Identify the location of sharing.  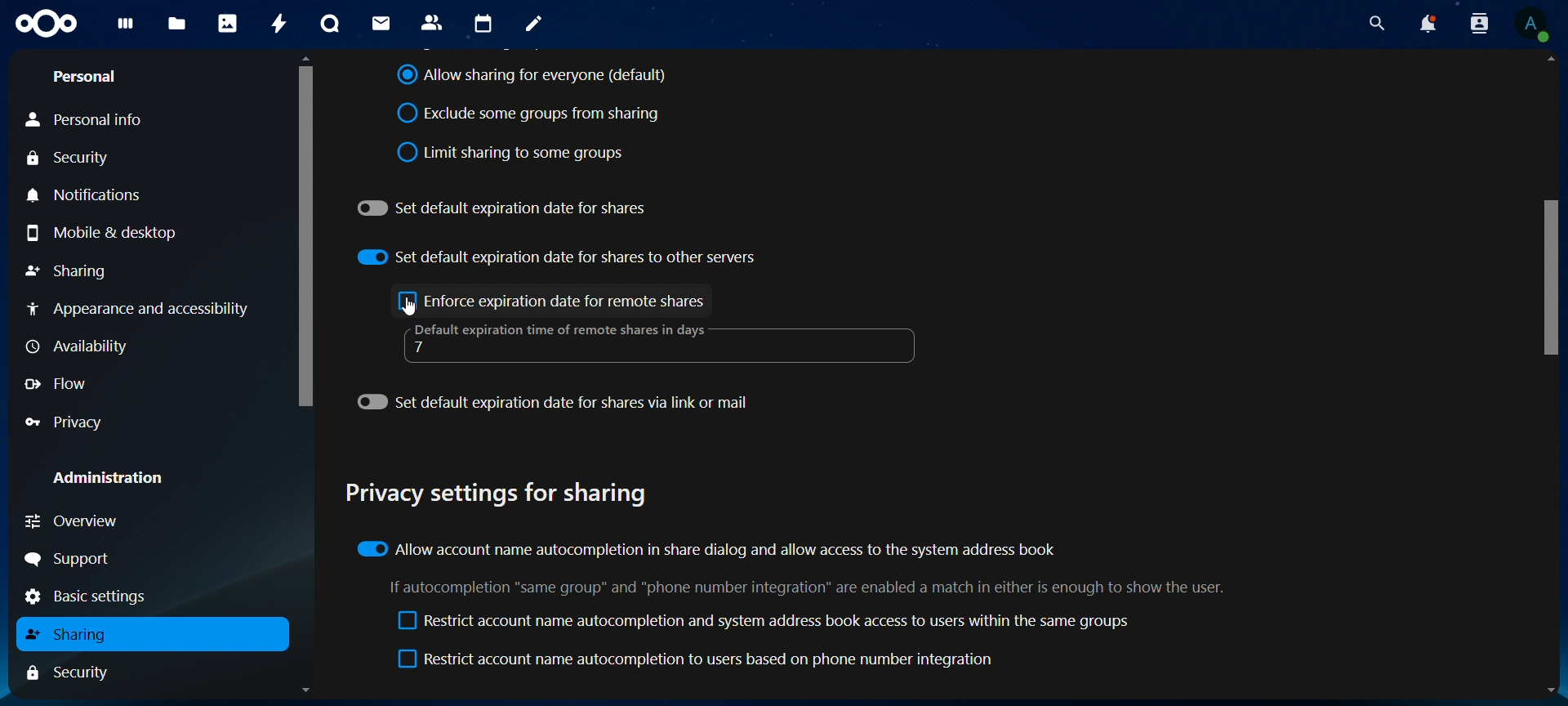
(69, 270).